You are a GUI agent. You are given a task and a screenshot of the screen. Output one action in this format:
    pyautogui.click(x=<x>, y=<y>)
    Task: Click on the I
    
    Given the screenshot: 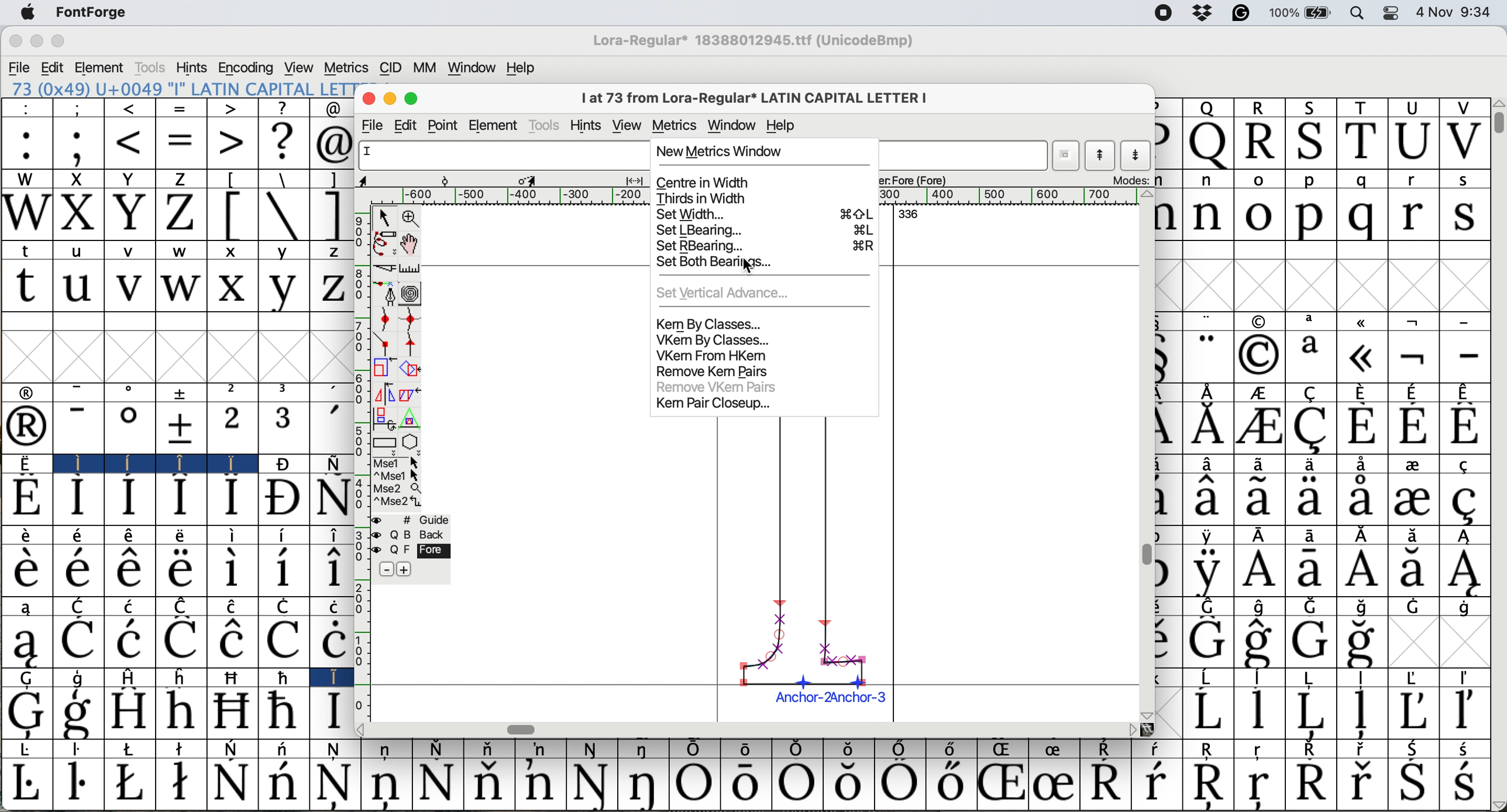 What is the action you would take?
    pyautogui.click(x=331, y=677)
    